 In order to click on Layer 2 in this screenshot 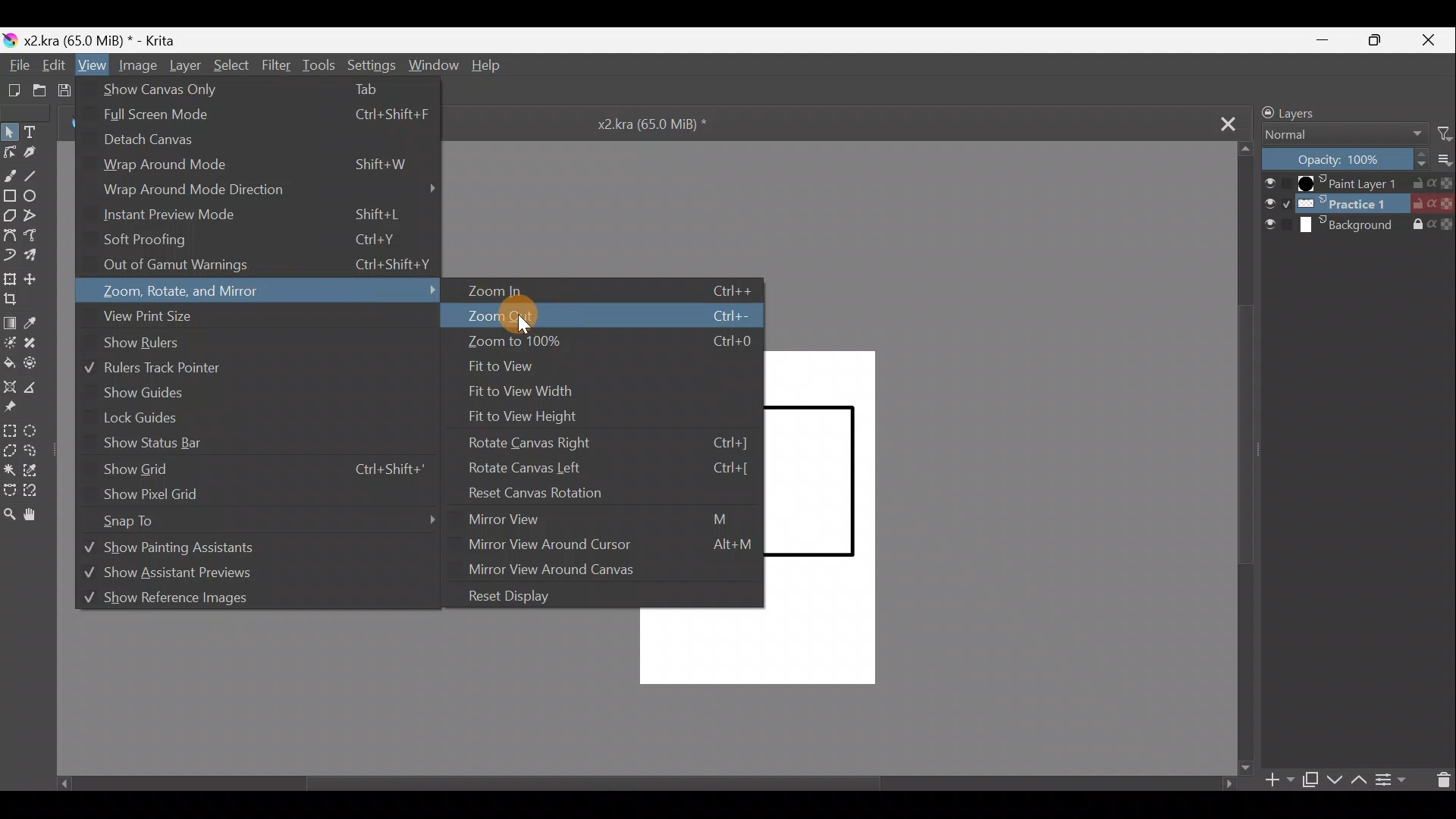, I will do `click(1357, 203)`.